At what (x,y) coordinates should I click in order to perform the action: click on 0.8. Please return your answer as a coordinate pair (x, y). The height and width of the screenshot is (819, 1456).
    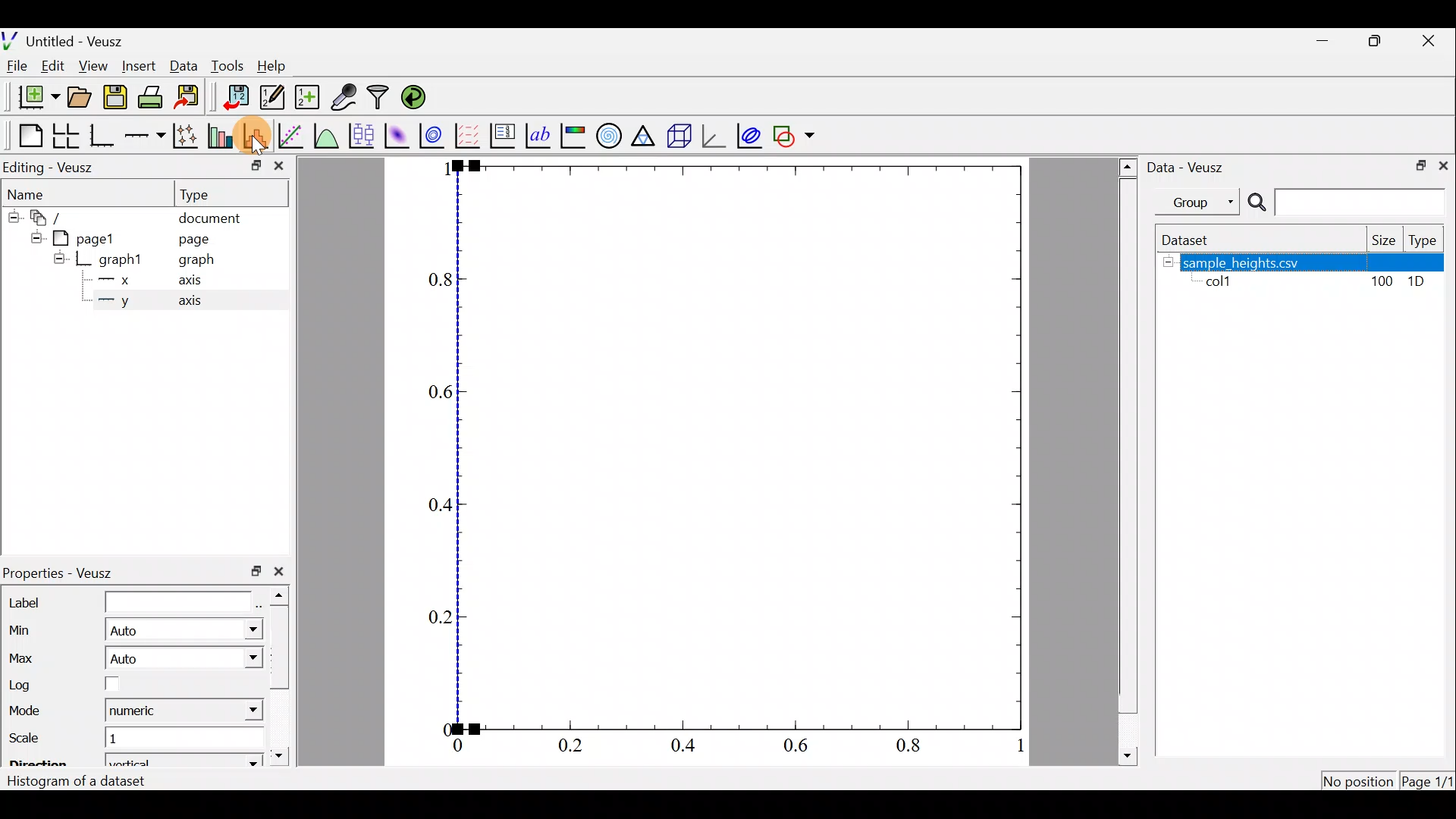
    Looking at the image, I should click on (437, 284).